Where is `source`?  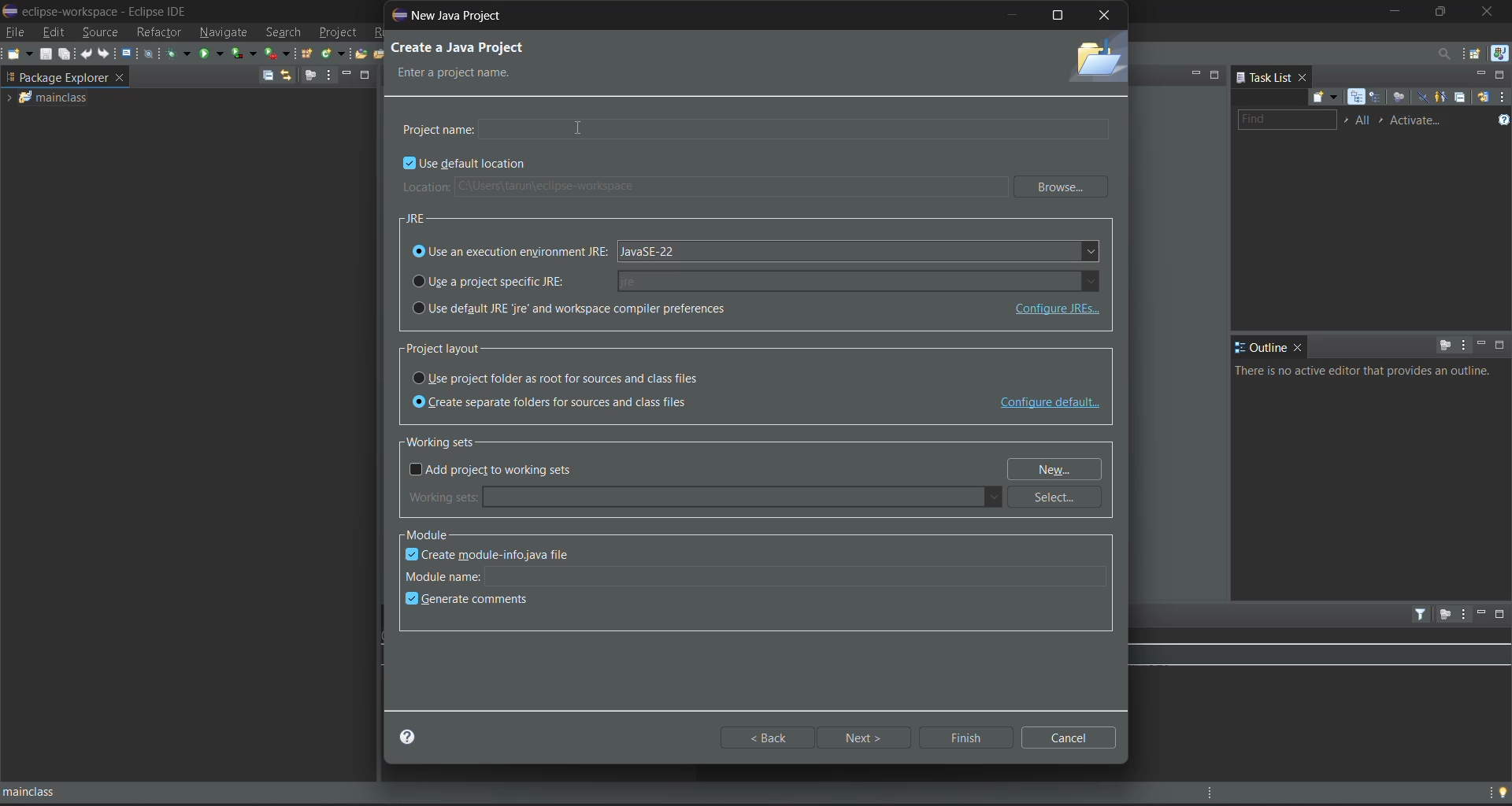 source is located at coordinates (102, 31).